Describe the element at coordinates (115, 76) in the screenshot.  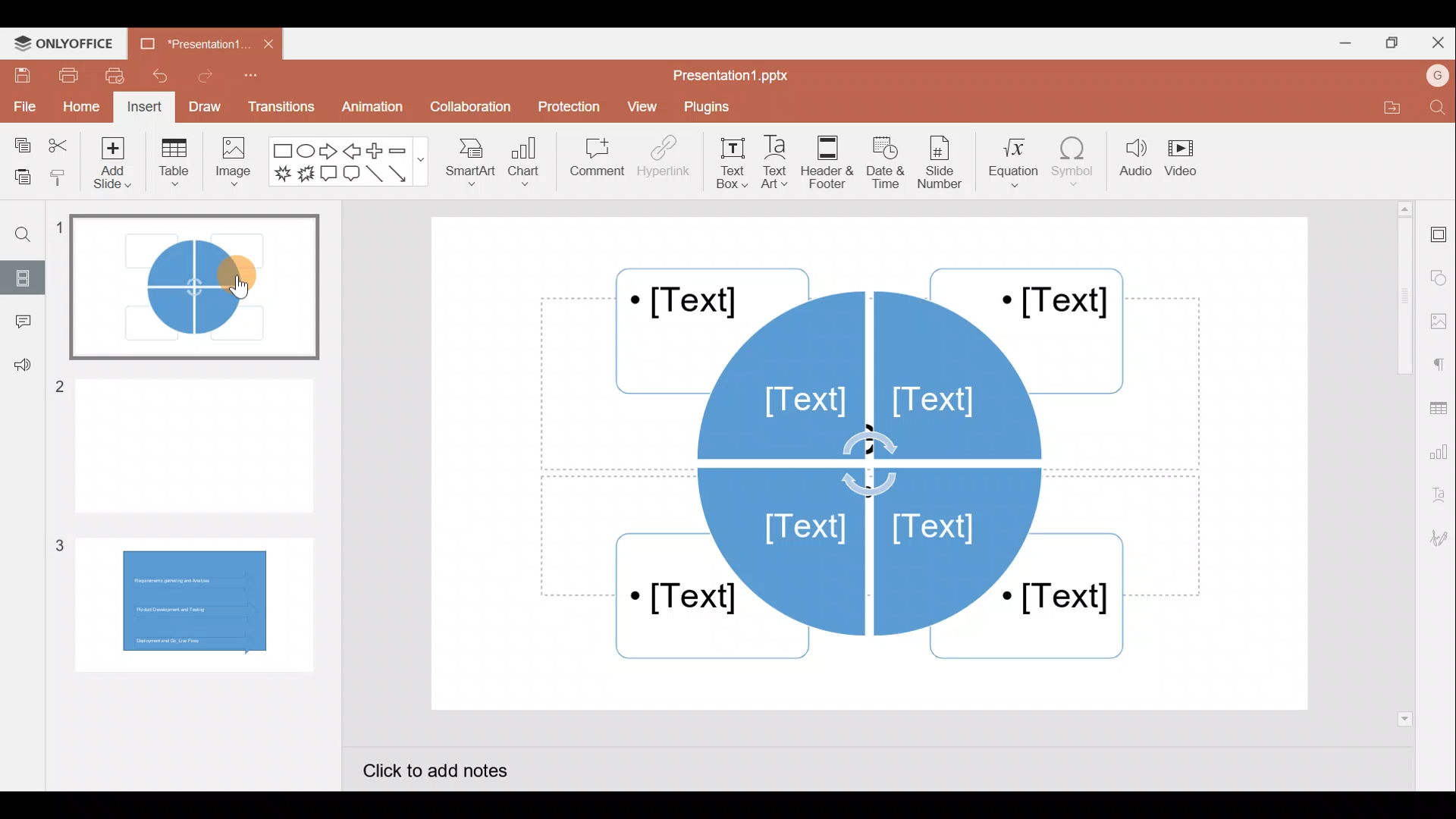
I see `Quick print` at that location.